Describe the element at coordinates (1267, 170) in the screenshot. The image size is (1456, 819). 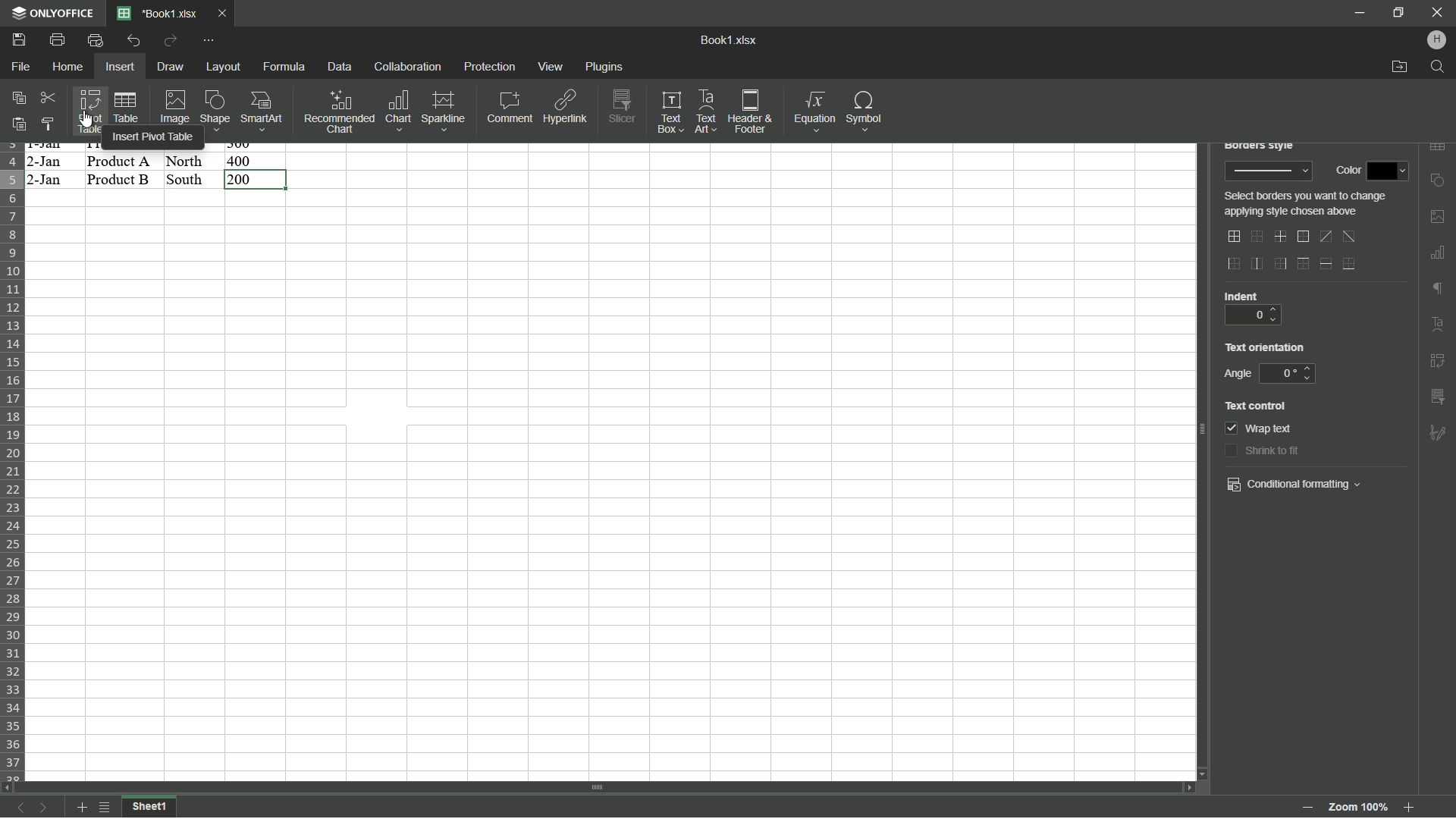
I see `border style preview` at that location.